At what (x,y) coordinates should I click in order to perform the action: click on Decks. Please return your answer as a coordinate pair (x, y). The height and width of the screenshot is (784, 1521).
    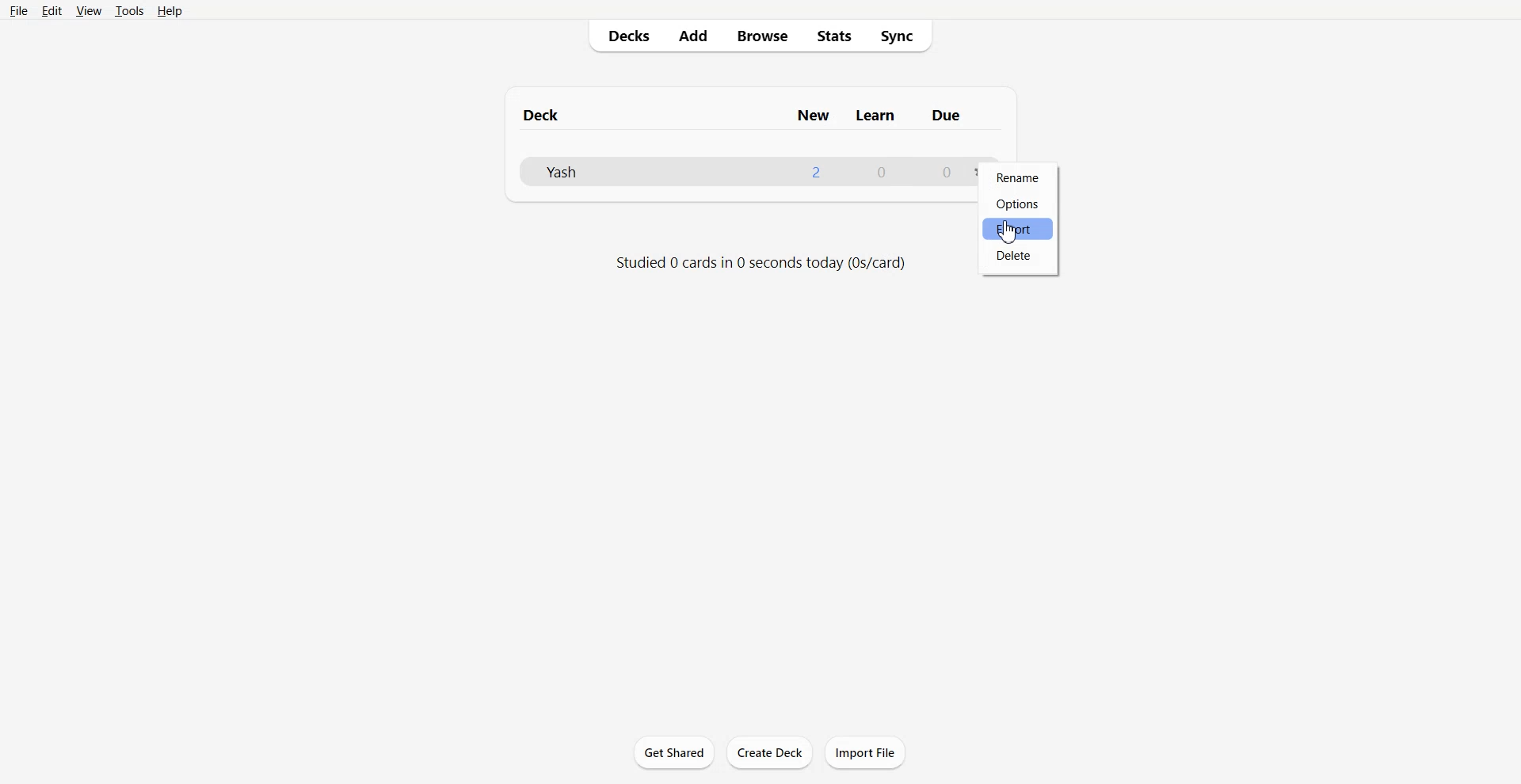
    Looking at the image, I should click on (626, 36).